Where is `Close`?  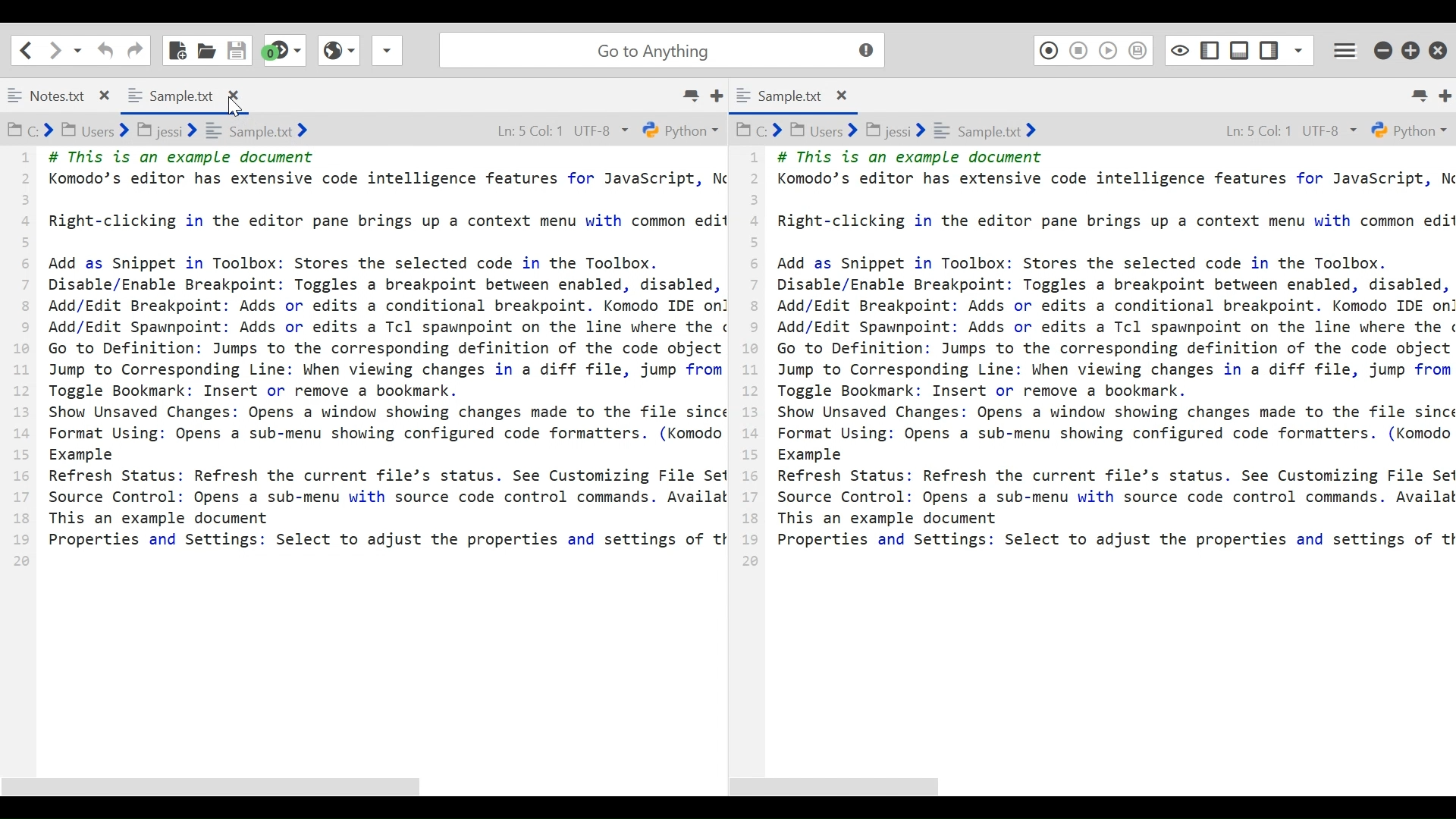
Close is located at coordinates (1439, 51).